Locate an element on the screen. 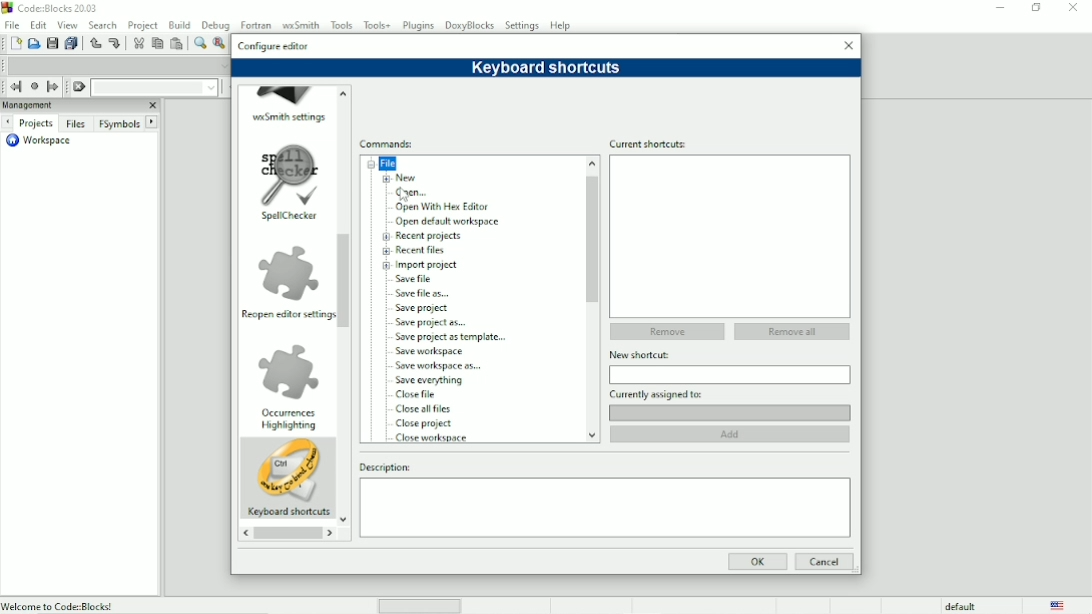 Image resolution: width=1092 pixels, height=614 pixels. Recent projects is located at coordinates (431, 236).